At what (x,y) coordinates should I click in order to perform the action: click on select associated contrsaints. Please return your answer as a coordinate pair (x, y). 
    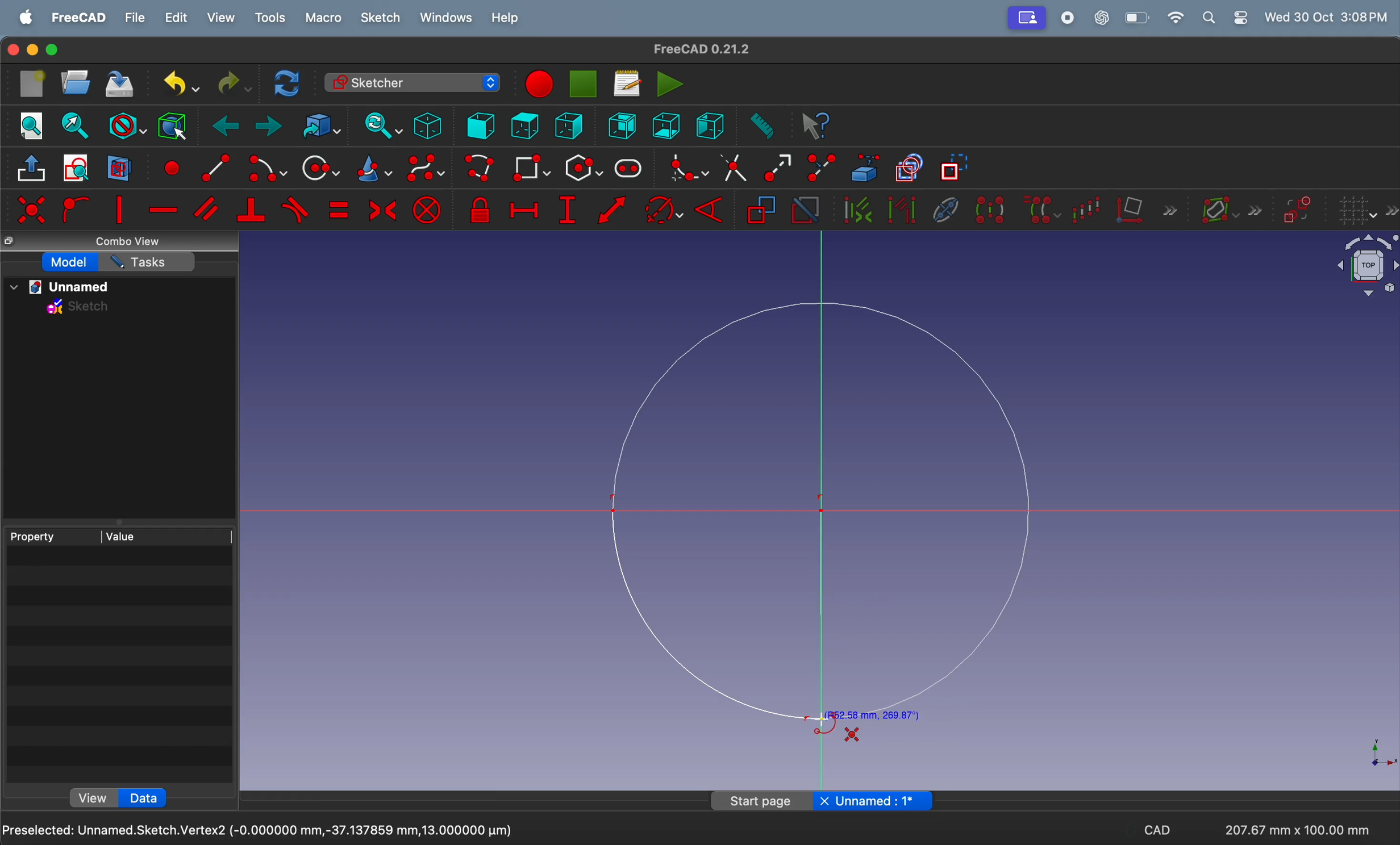
    Looking at the image, I should click on (855, 210).